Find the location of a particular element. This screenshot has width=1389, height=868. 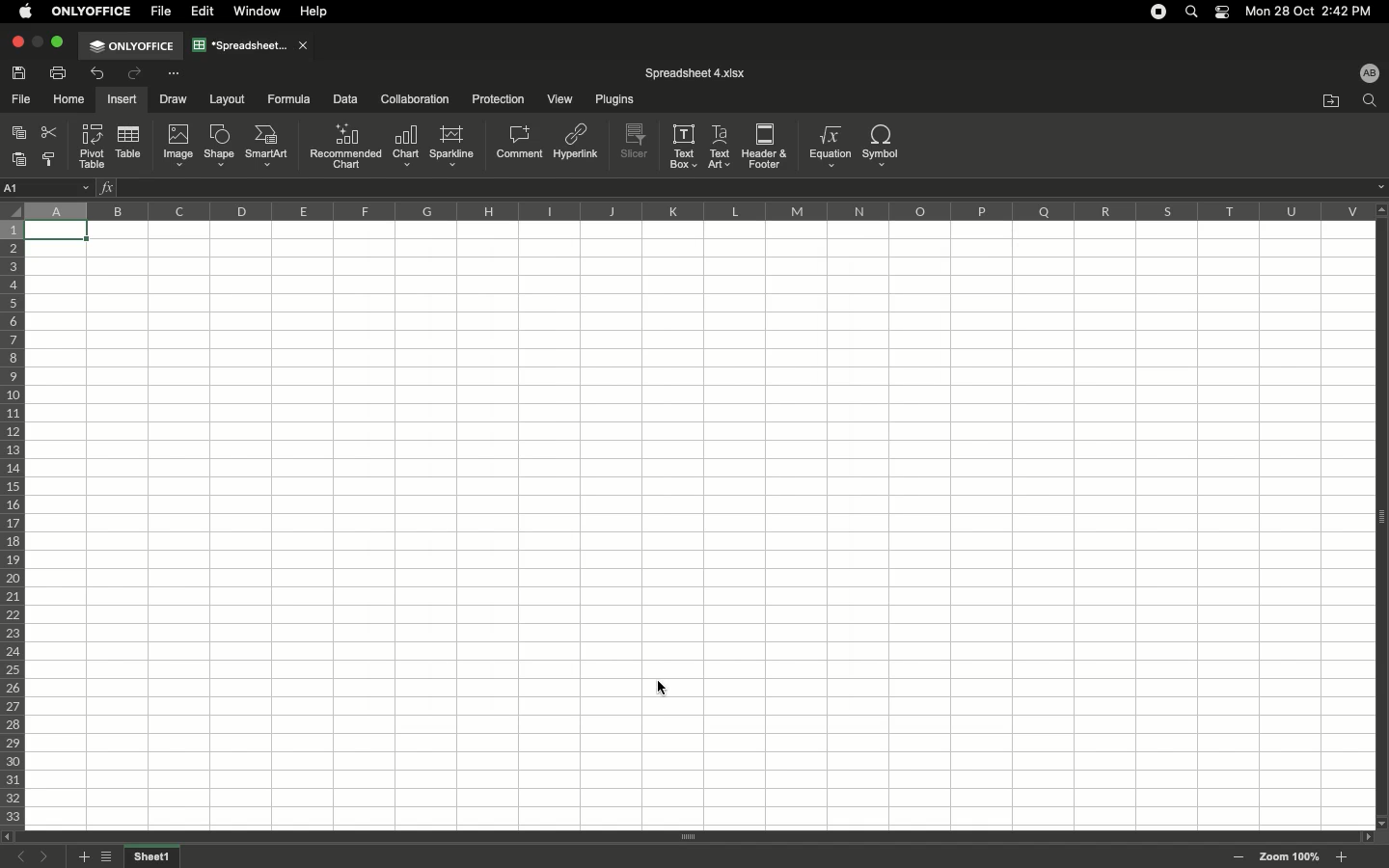

Customize tool bar is located at coordinates (173, 72).